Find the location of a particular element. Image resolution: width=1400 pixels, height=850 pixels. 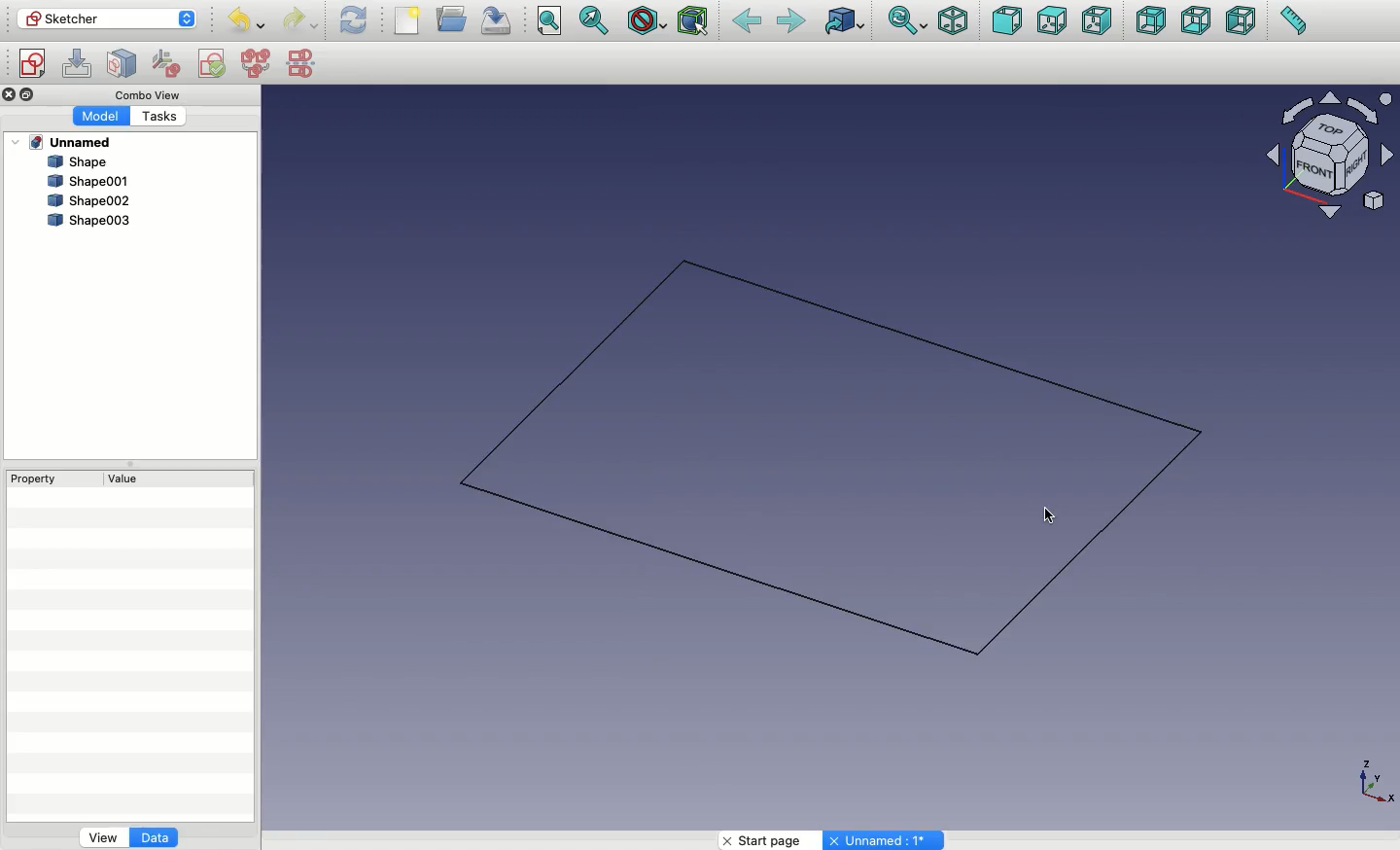

Shape is located at coordinates (82, 162).